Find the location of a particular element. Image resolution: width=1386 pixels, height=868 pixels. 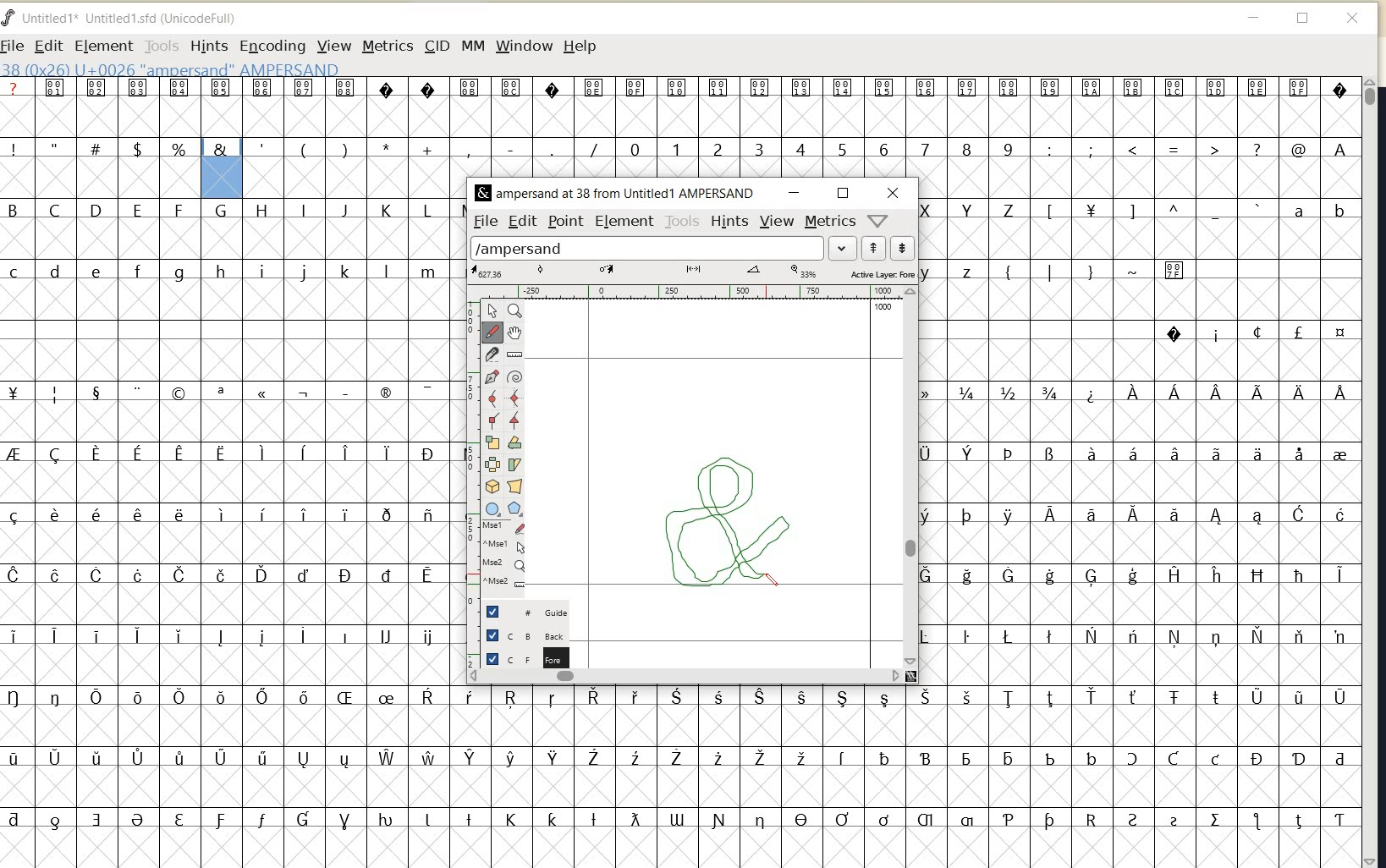

HELP/WINDOW is located at coordinates (878, 220).